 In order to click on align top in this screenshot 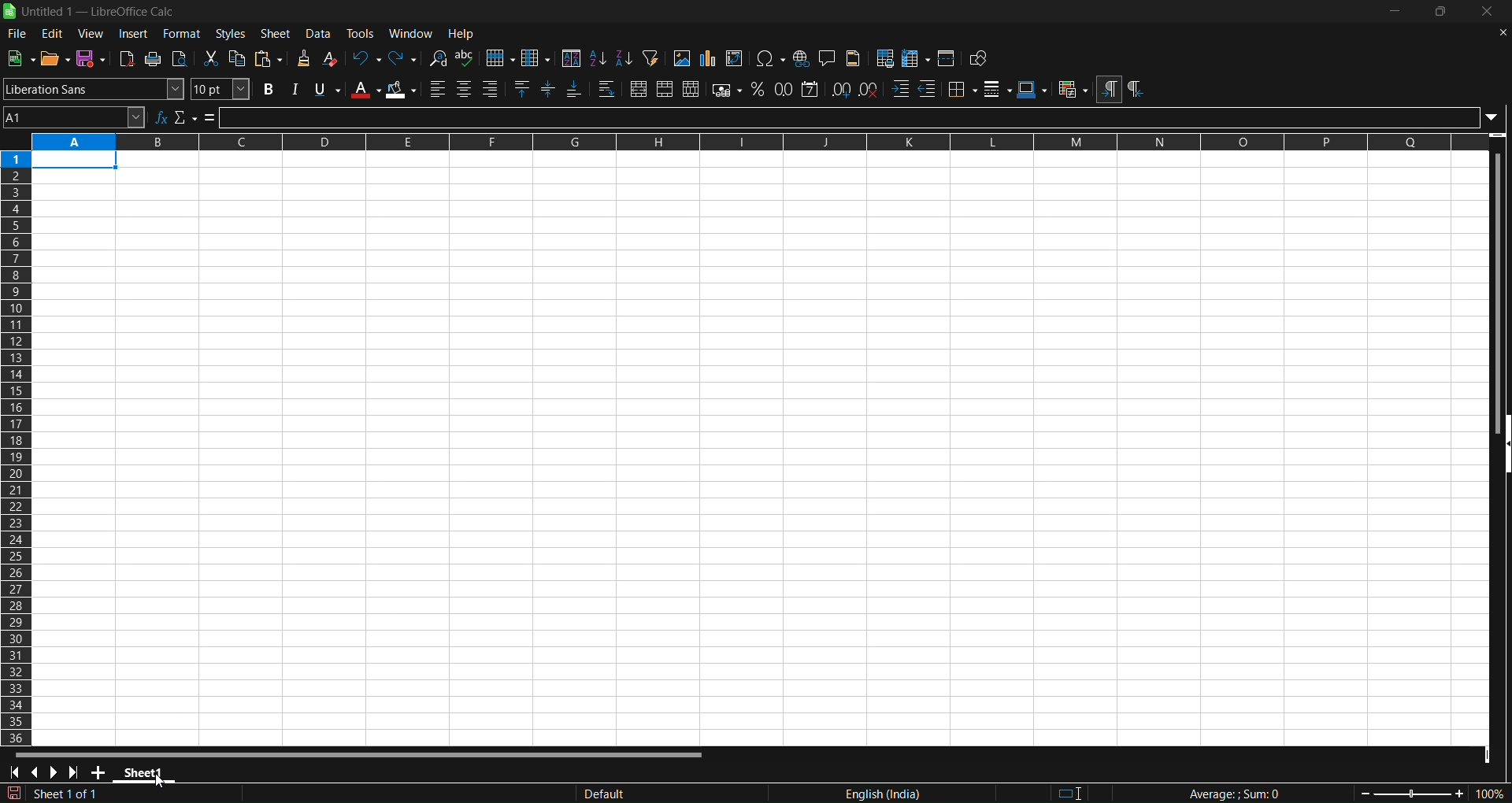, I will do `click(524, 90)`.